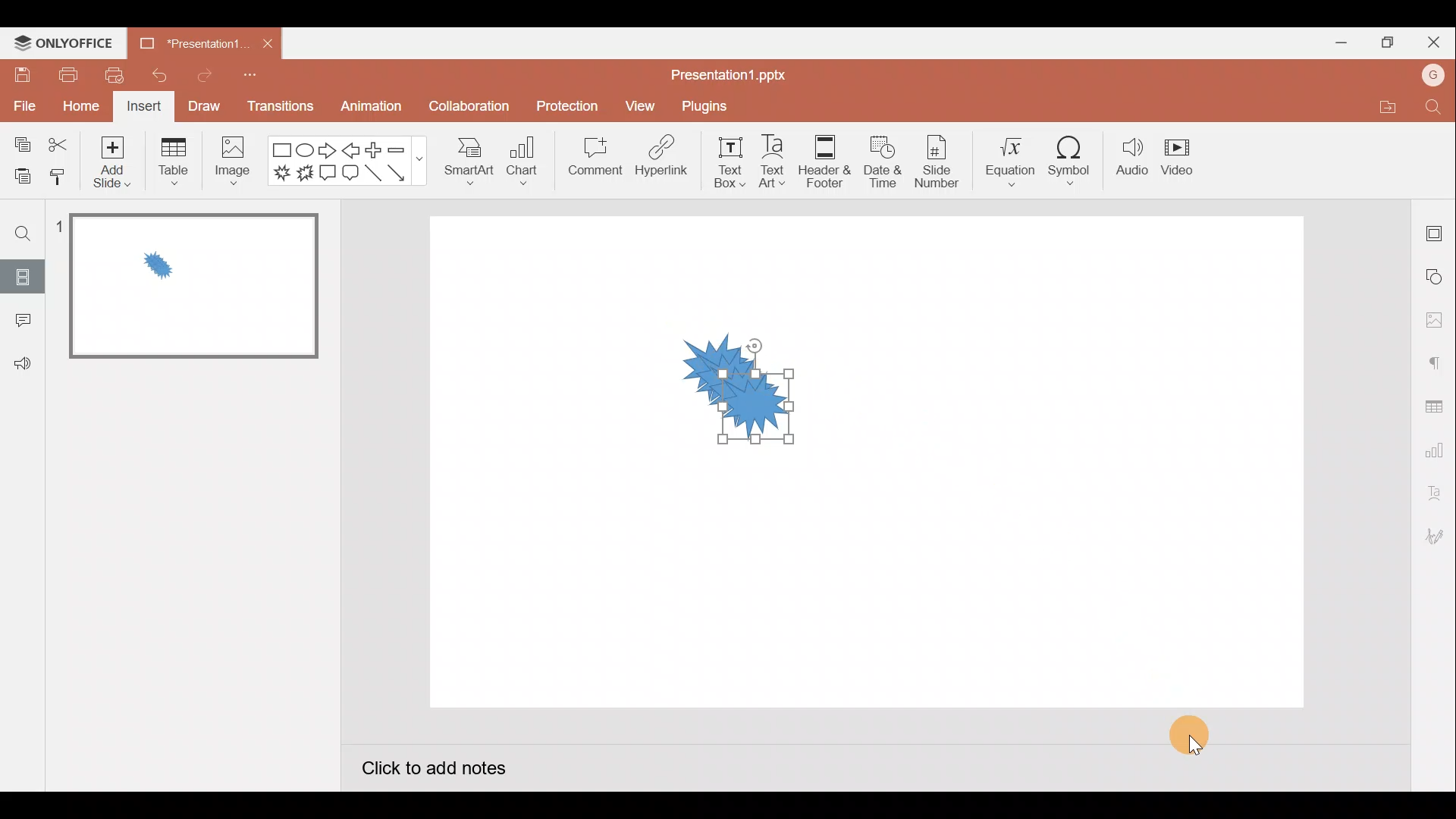 This screenshot has height=819, width=1456. What do you see at coordinates (64, 42) in the screenshot?
I see `ONLYOFFICE` at bounding box center [64, 42].